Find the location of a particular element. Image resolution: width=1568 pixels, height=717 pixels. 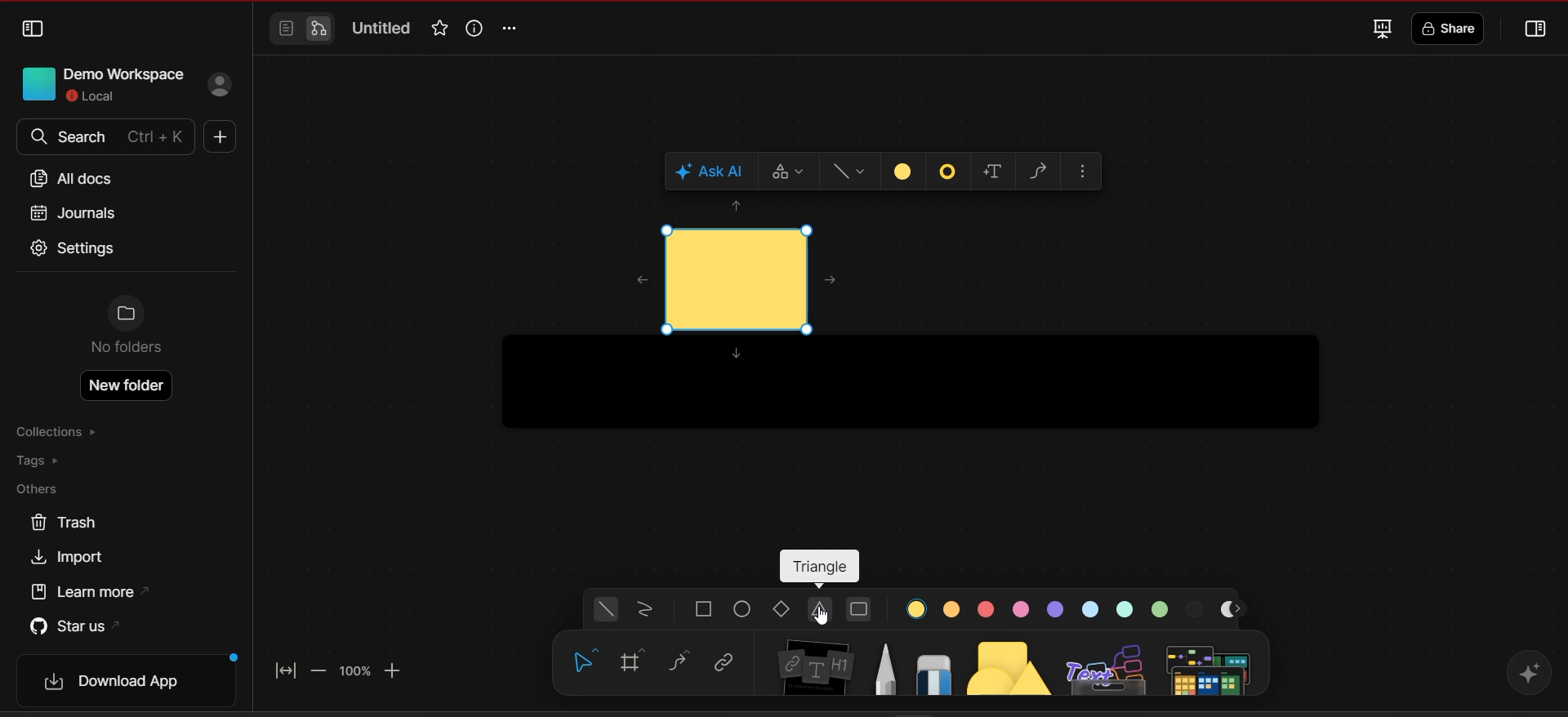

move down is located at coordinates (738, 356).